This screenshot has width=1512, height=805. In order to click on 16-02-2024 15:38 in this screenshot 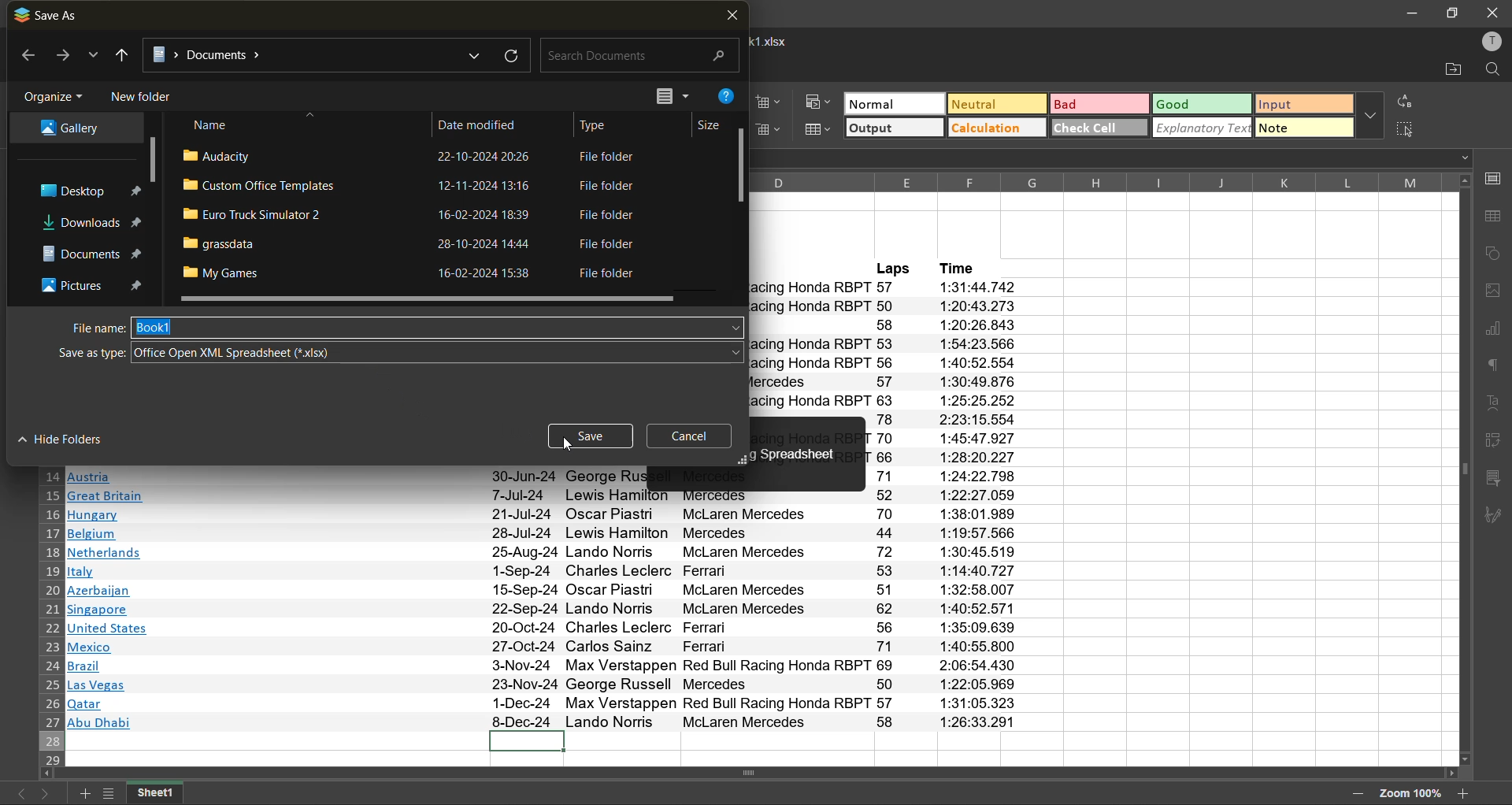, I will do `click(476, 273)`.